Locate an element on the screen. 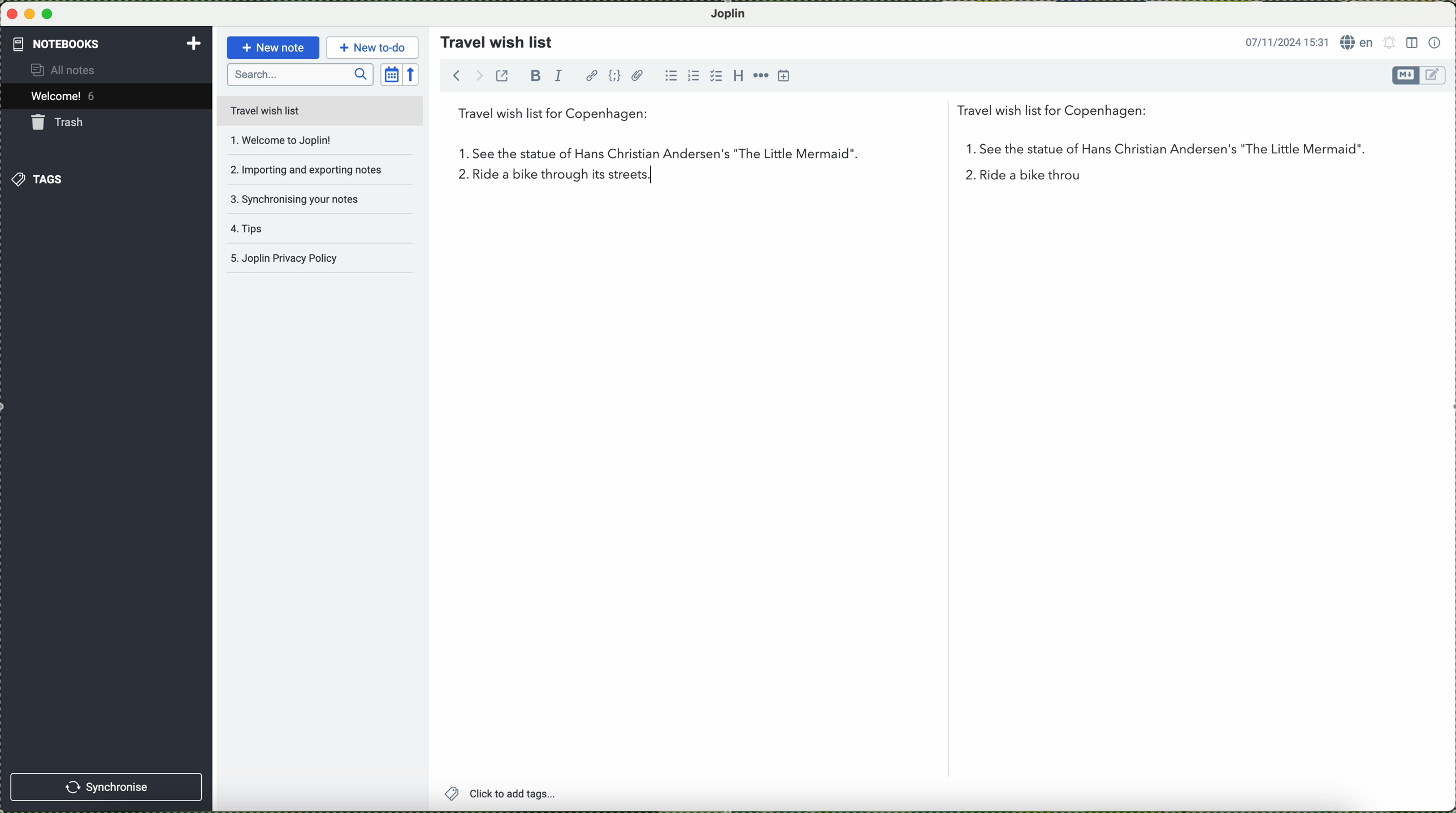  italic is located at coordinates (562, 77).